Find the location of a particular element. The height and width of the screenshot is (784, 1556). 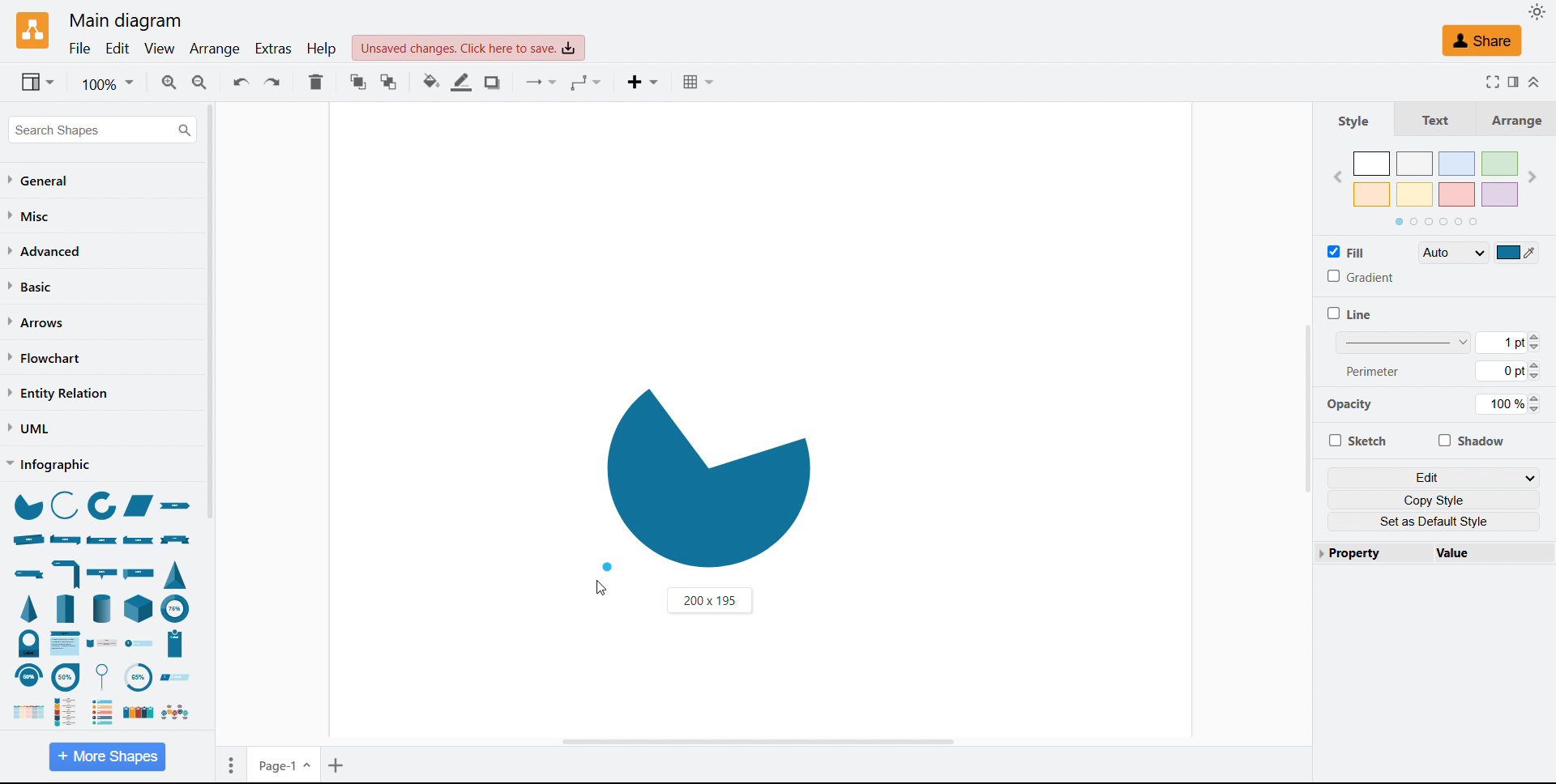

bar with callout is located at coordinates (101, 573).